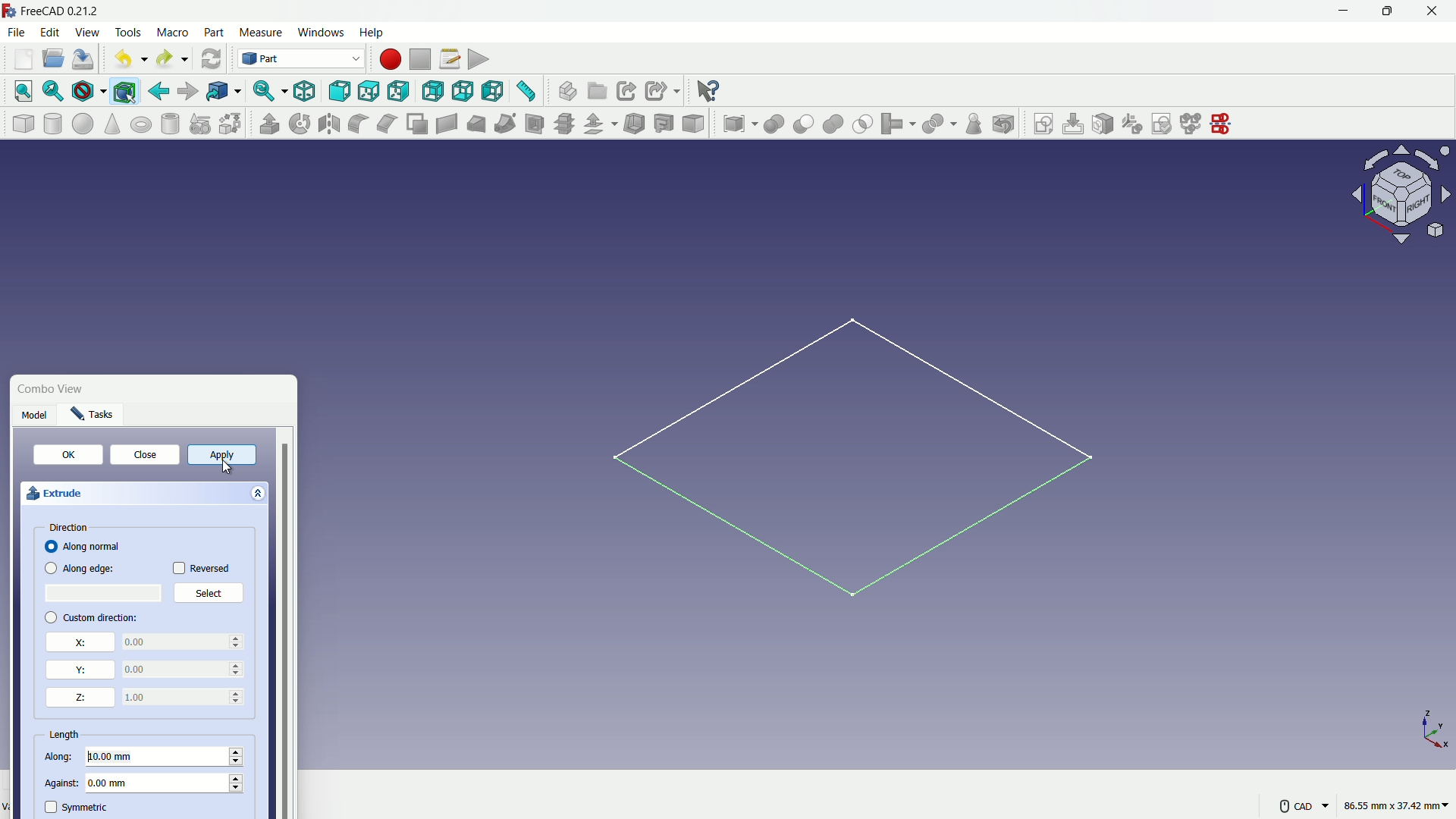 This screenshot has height=819, width=1456. What do you see at coordinates (62, 783) in the screenshot?
I see `against length` at bounding box center [62, 783].